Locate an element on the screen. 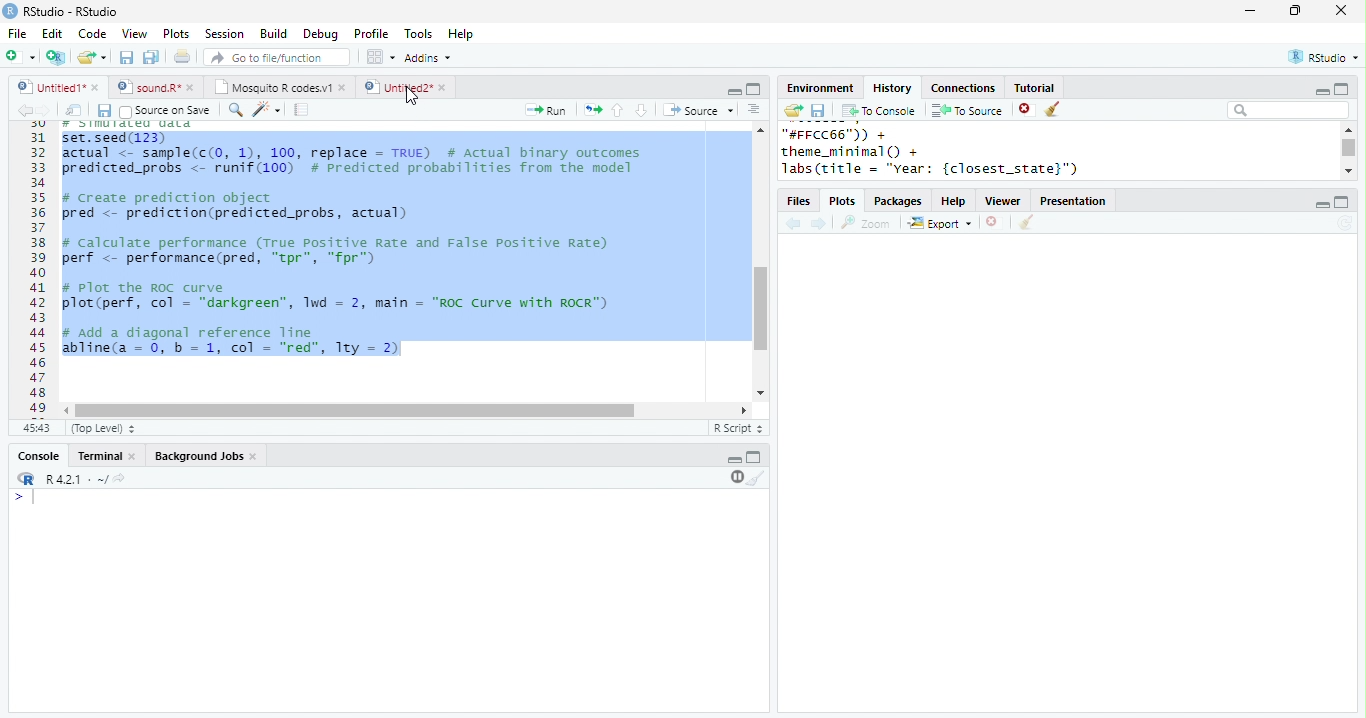  help is located at coordinates (954, 202).